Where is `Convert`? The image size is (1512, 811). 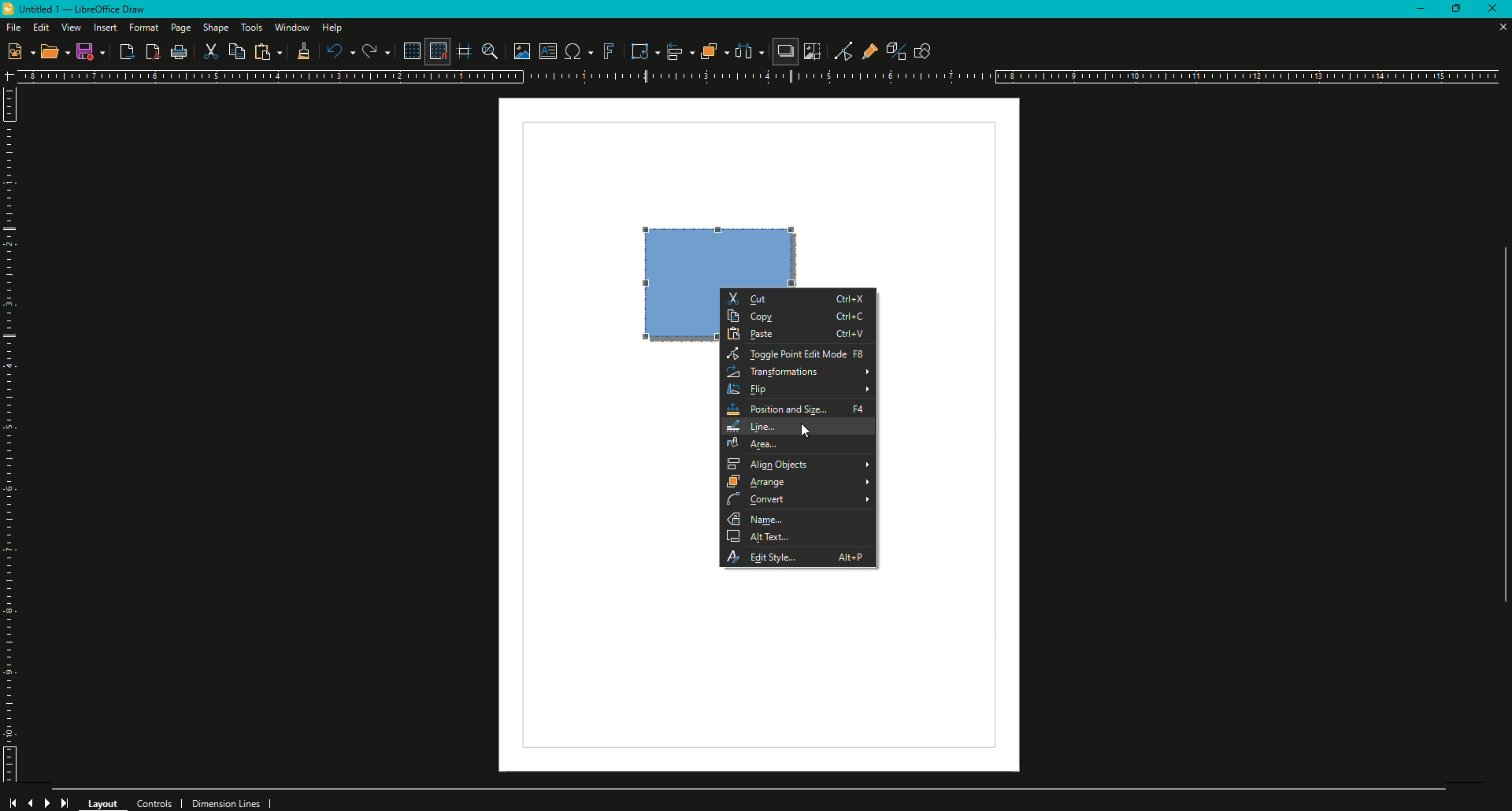 Convert is located at coordinates (800, 501).